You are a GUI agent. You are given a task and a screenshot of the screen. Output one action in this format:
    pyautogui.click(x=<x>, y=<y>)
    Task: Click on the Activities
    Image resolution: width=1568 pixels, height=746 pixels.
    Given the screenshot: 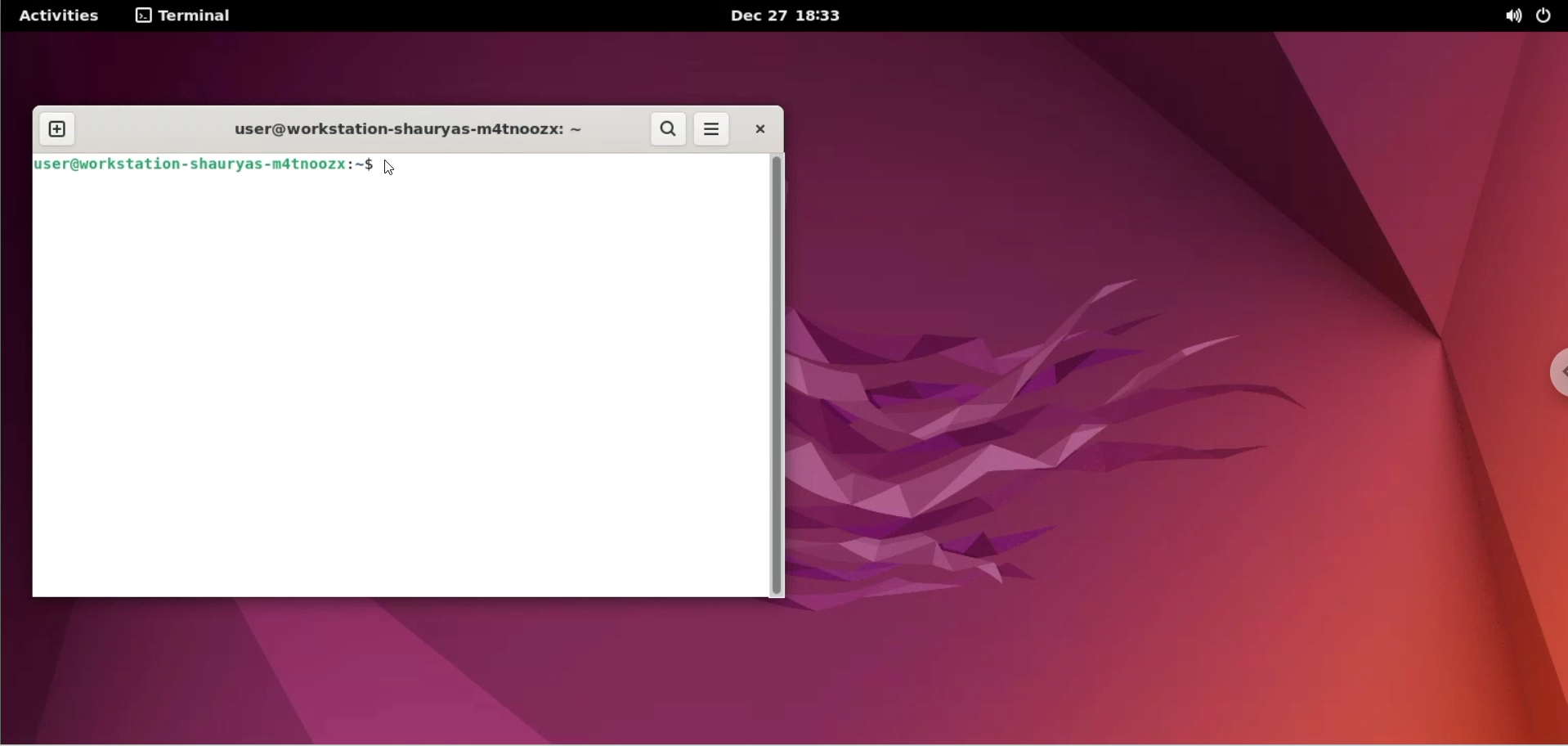 What is the action you would take?
    pyautogui.click(x=58, y=16)
    